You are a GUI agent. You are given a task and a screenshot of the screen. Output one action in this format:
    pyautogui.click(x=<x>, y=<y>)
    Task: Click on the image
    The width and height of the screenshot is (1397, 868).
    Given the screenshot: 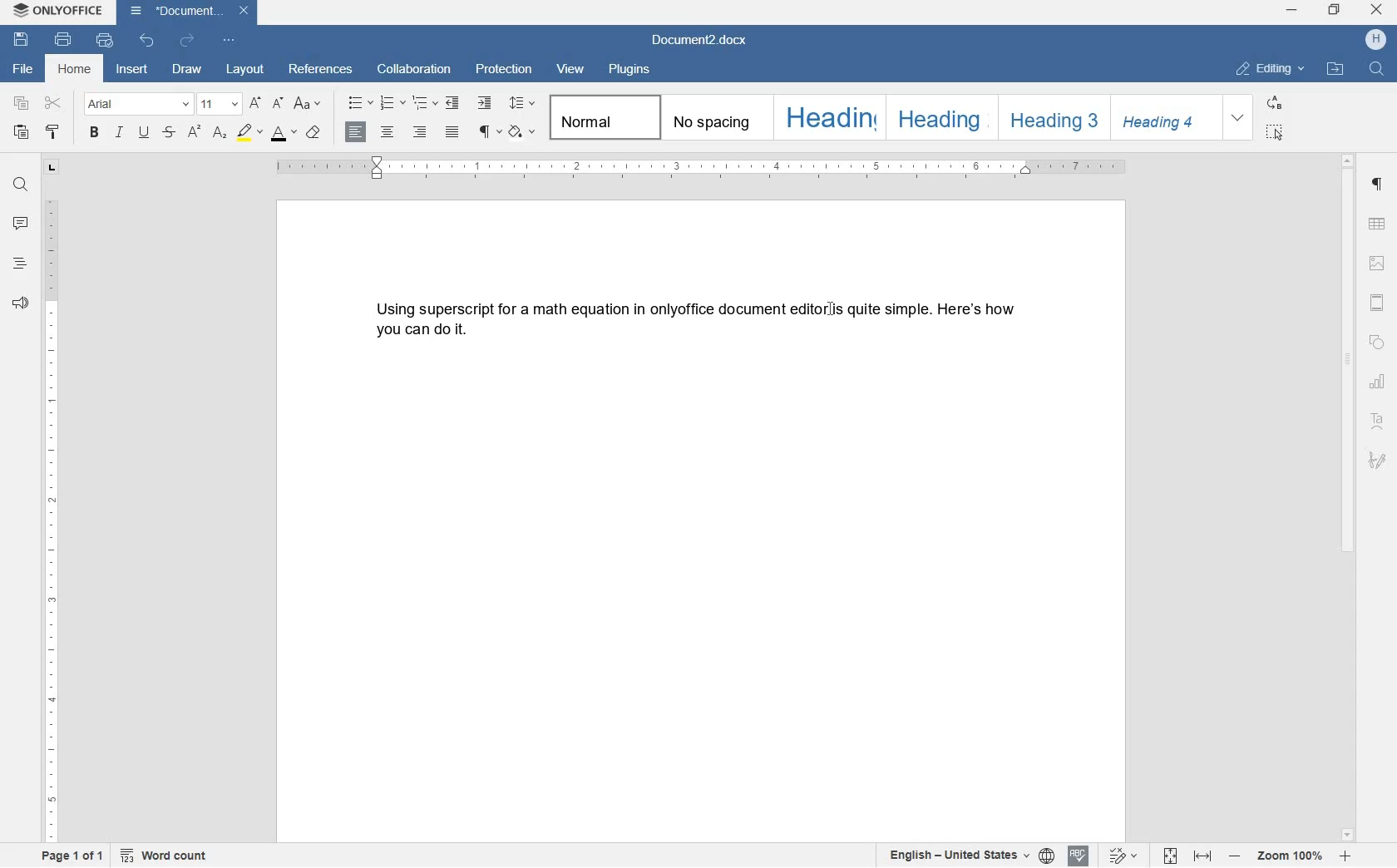 What is the action you would take?
    pyautogui.click(x=1377, y=263)
    